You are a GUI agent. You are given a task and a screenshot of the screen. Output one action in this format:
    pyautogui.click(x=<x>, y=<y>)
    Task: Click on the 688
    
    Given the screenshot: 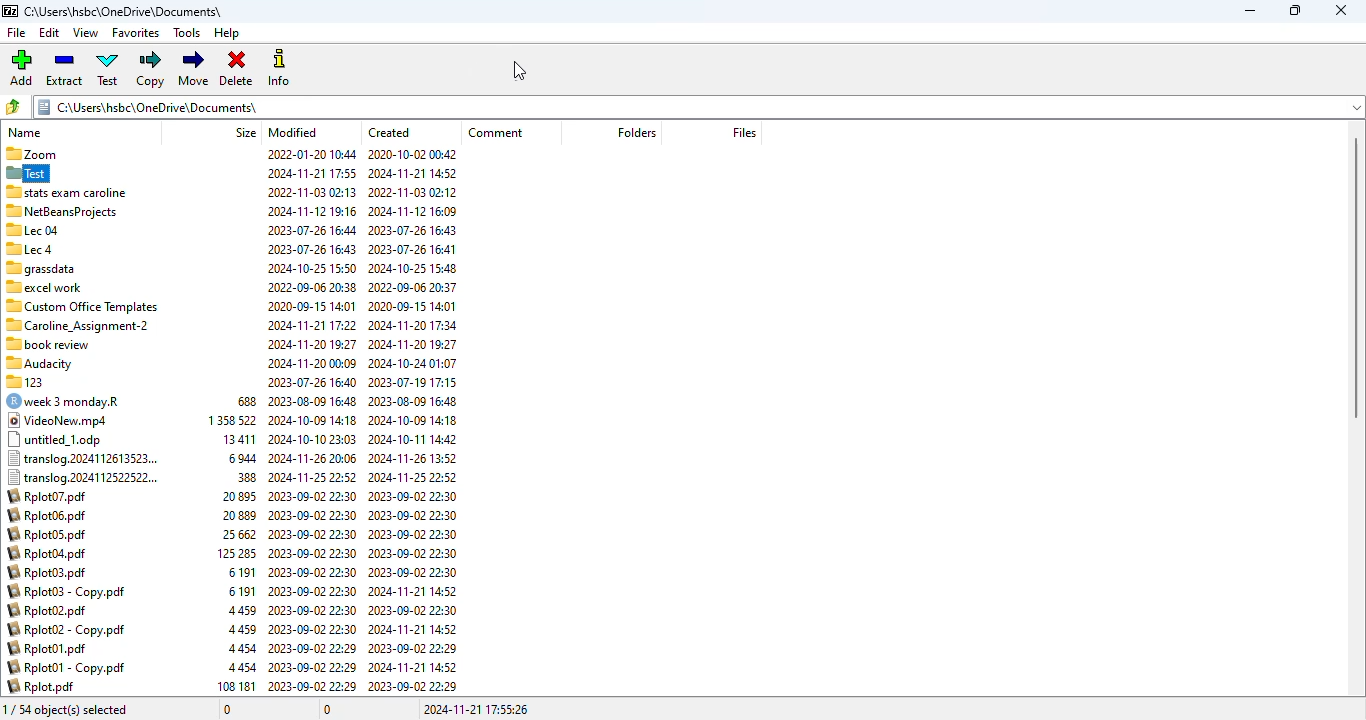 What is the action you would take?
    pyautogui.click(x=246, y=400)
    